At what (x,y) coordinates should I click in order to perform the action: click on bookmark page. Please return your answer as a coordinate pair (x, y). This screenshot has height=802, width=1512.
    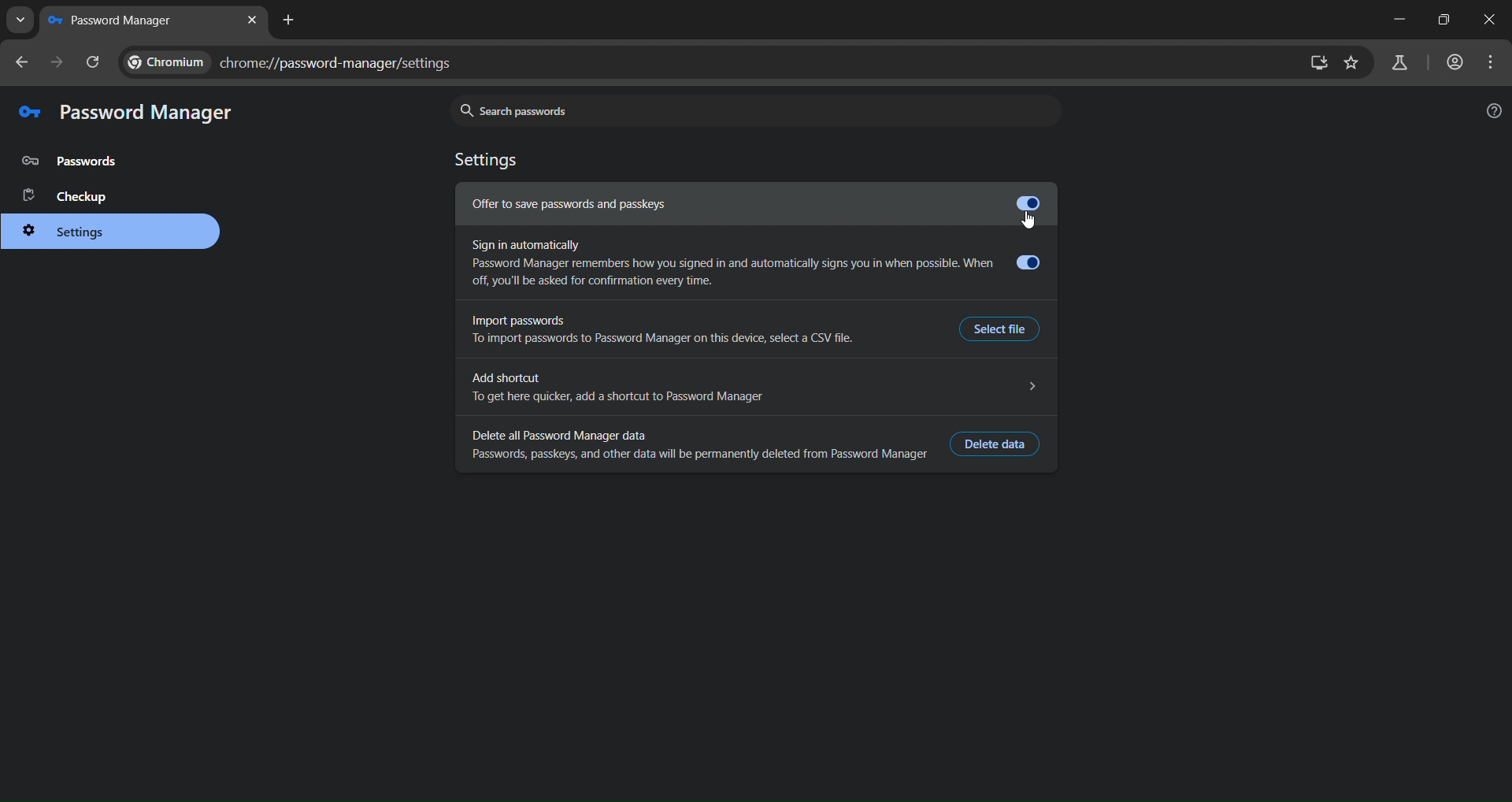
    Looking at the image, I should click on (1352, 64).